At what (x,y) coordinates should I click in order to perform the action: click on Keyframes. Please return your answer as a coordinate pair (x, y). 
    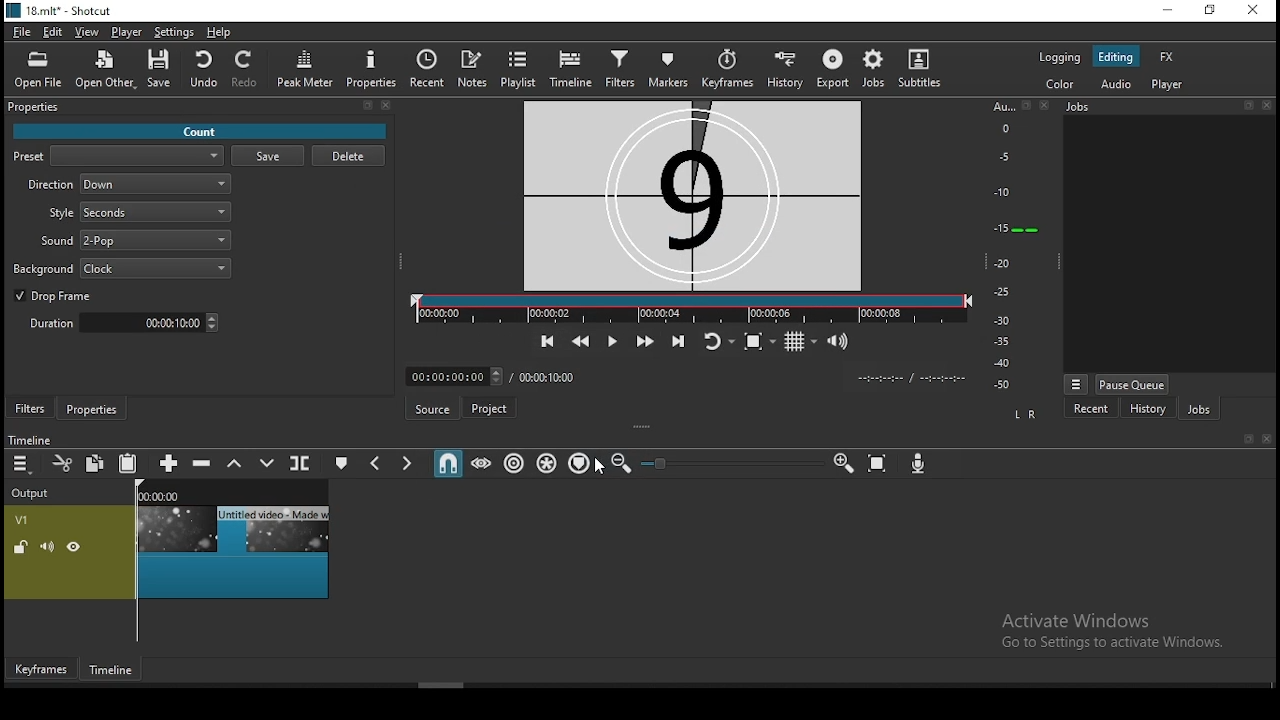
    Looking at the image, I should click on (39, 669).